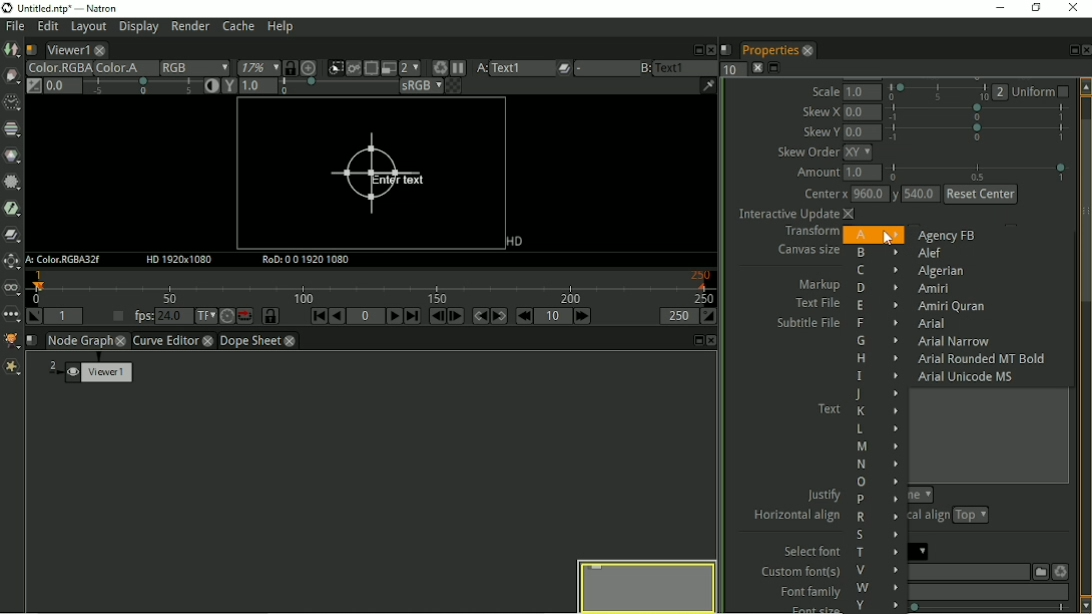 This screenshot has height=614, width=1092. Describe the element at coordinates (878, 447) in the screenshot. I see `M` at that location.